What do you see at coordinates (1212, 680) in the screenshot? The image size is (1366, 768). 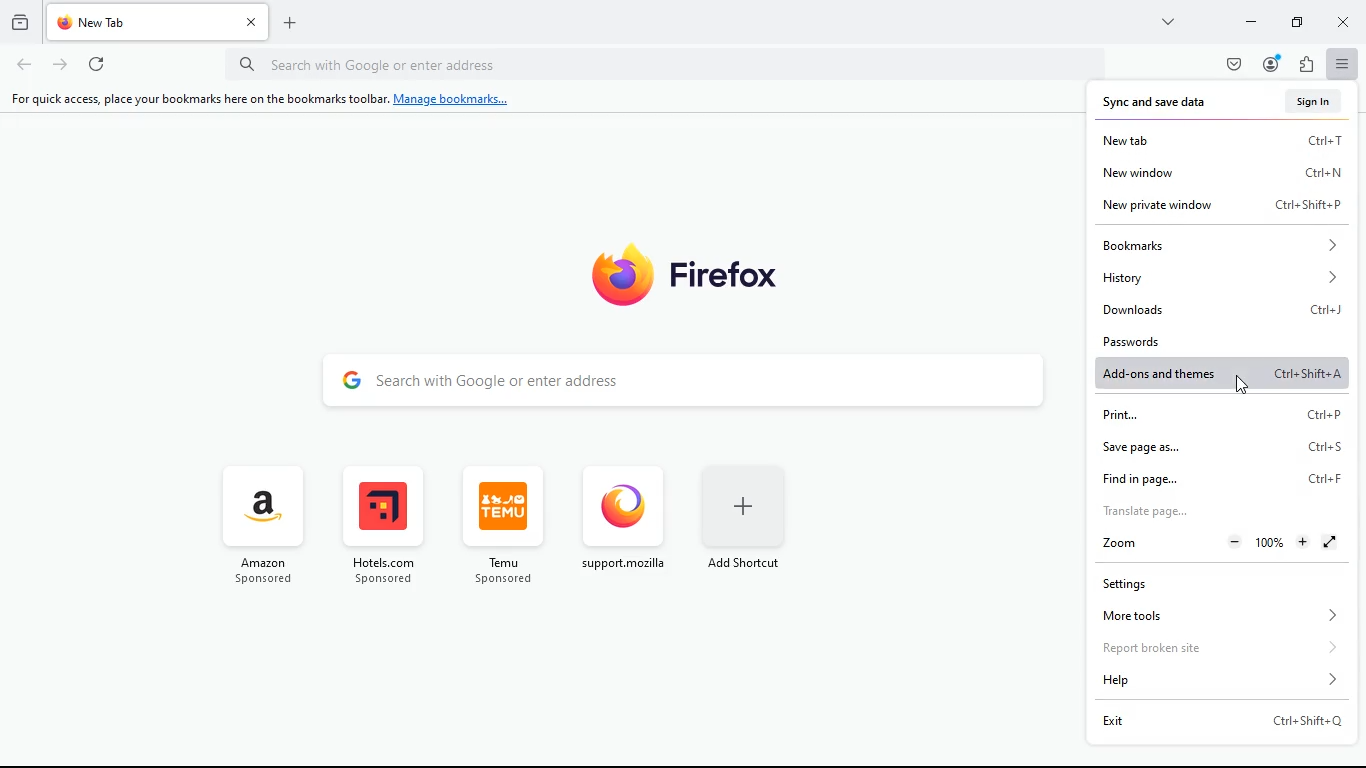 I see `help` at bounding box center [1212, 680].